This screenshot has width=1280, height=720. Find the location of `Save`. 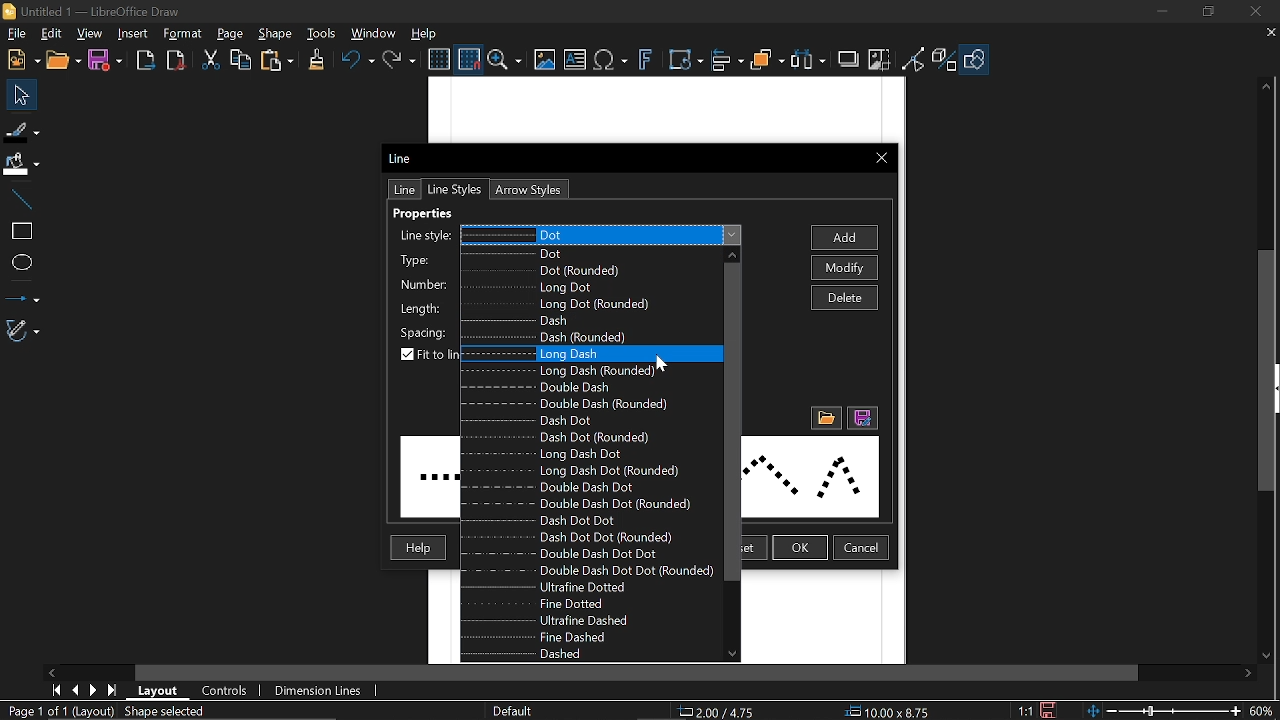

Save is located at coordinates (1049, 710).